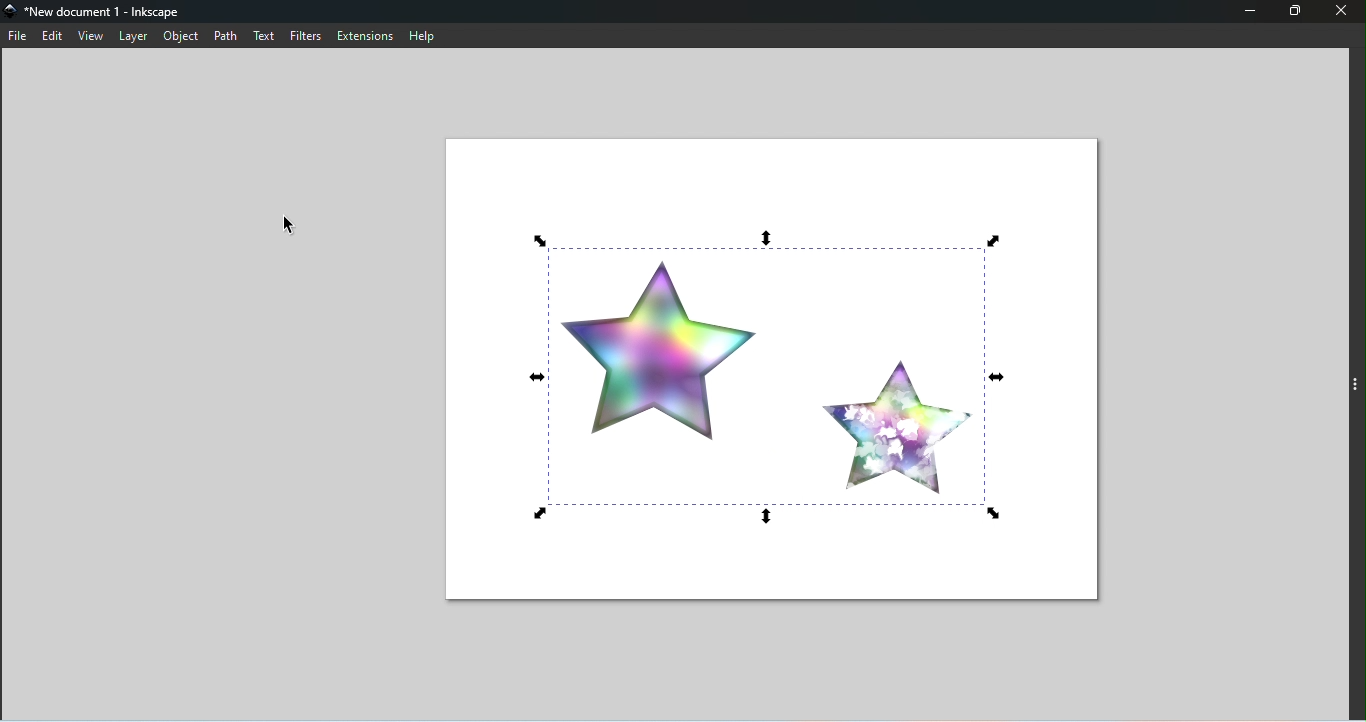  What do you see at coordinates (778, 367) in the screenshot?
I see `Canvas` at bounding box center [778, 367].